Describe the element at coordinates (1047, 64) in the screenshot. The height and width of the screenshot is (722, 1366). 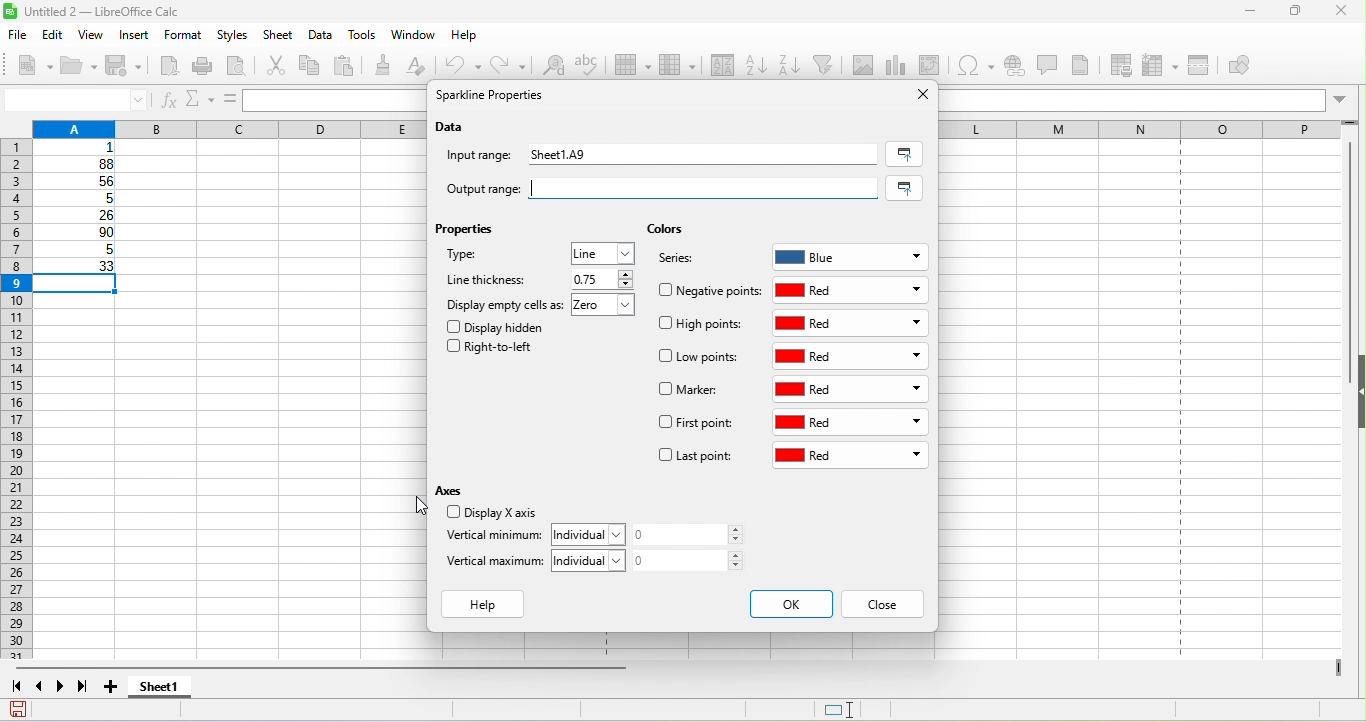
I see `comment` at that location.